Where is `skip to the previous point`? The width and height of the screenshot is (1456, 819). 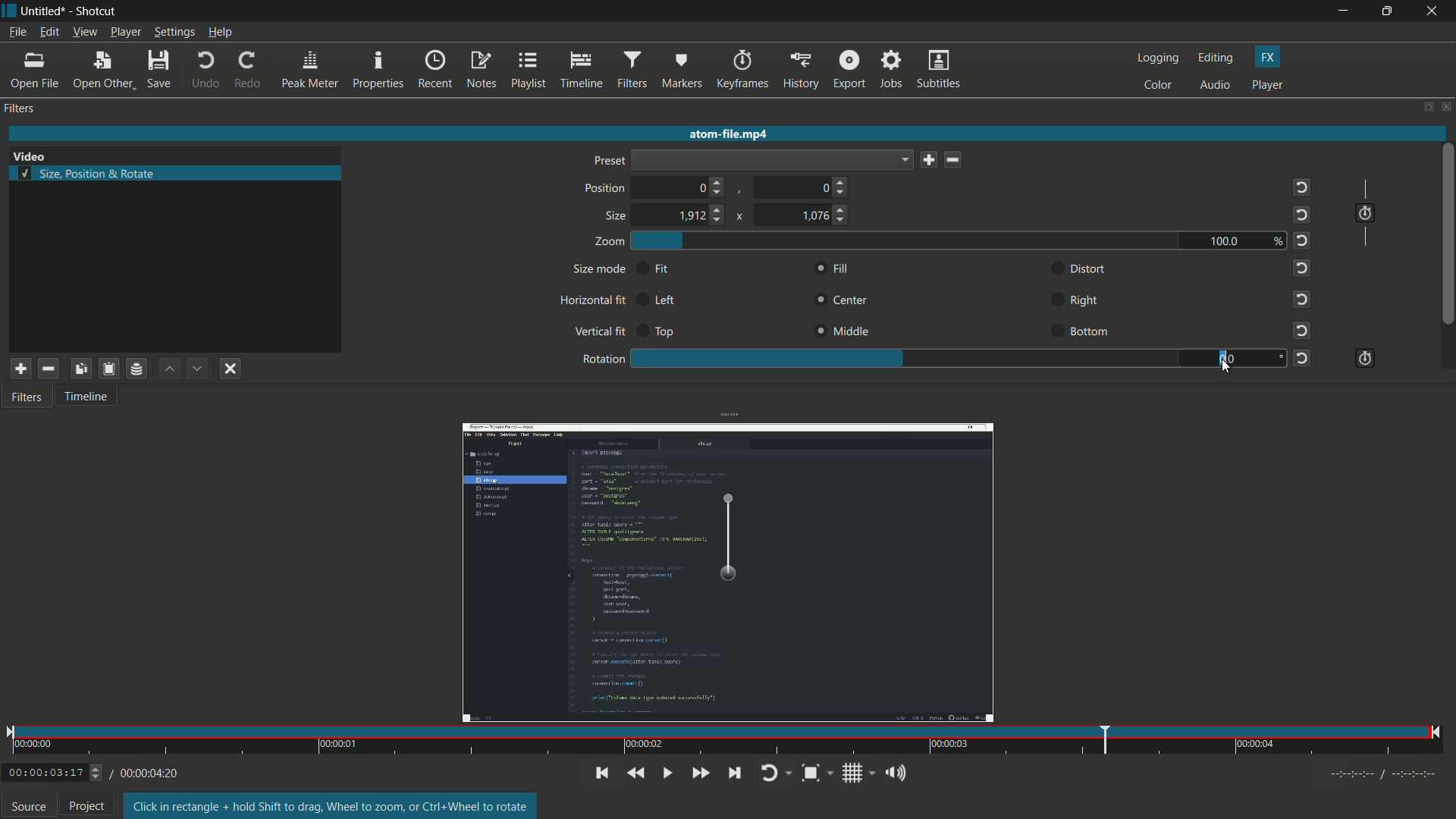 skip to the previous point is located at coordinates (602, 773).